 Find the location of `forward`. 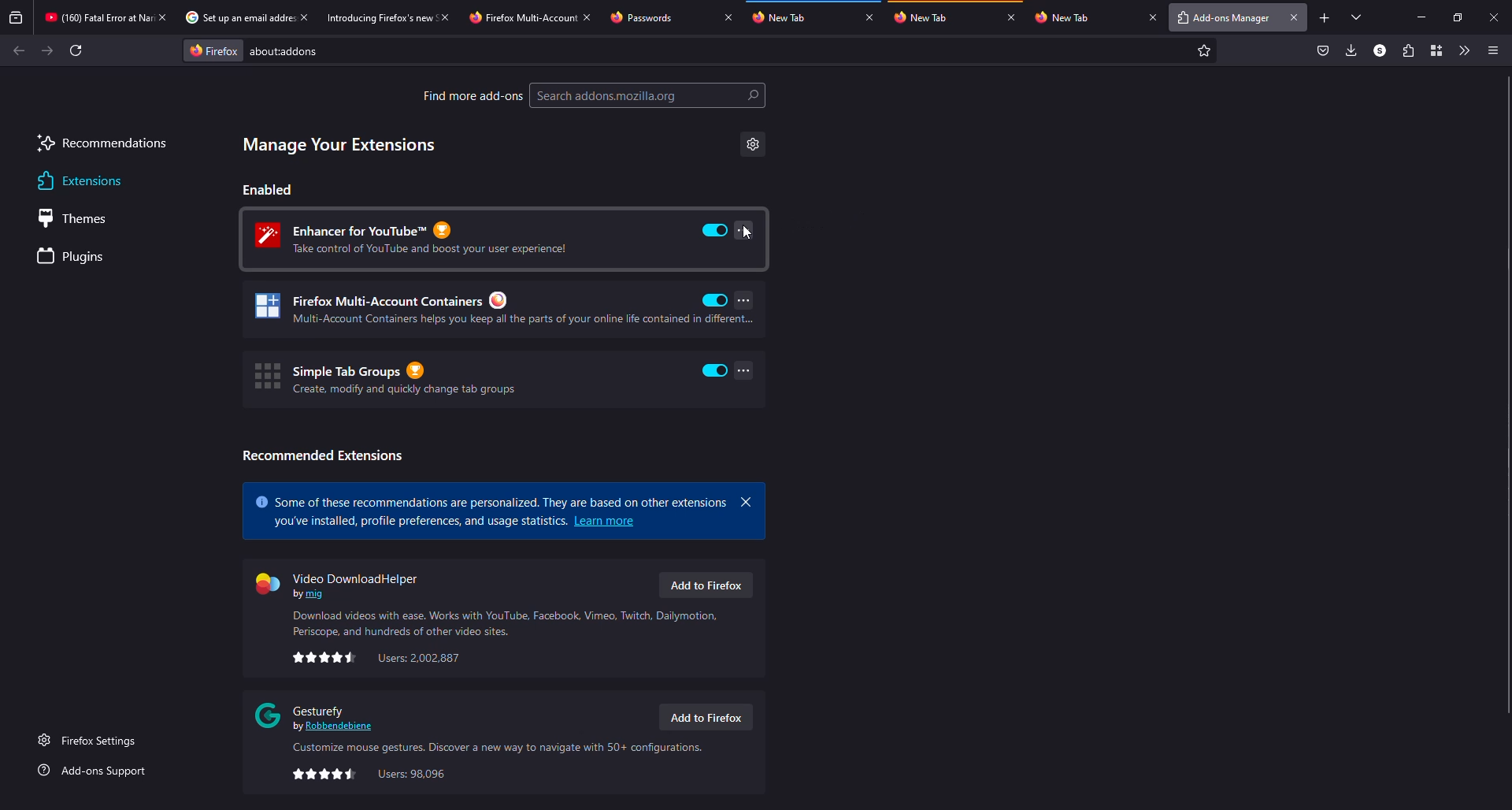

forward is located at coordinates (47, 50).